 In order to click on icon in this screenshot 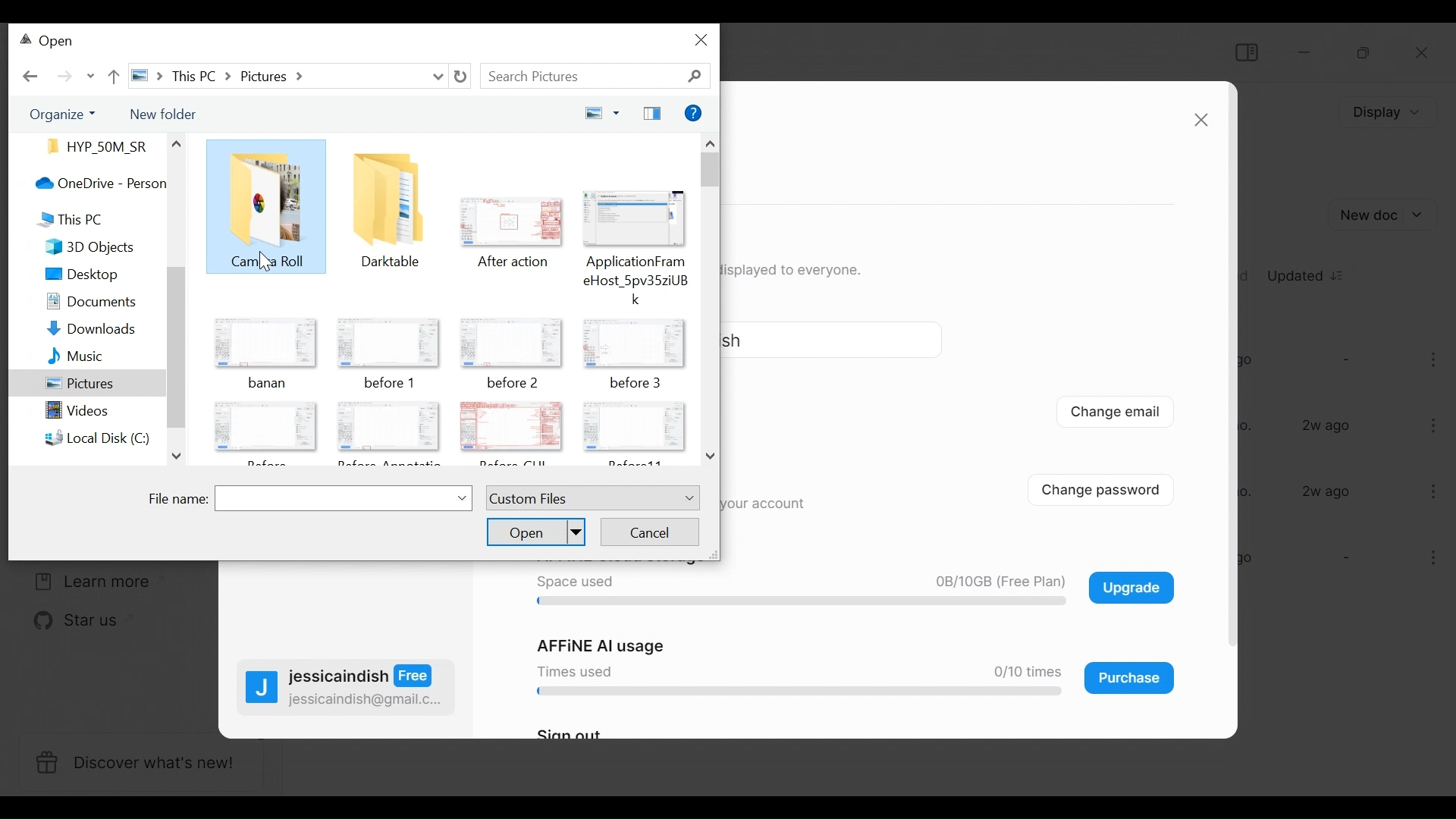, I will do `click(510, 221)`.